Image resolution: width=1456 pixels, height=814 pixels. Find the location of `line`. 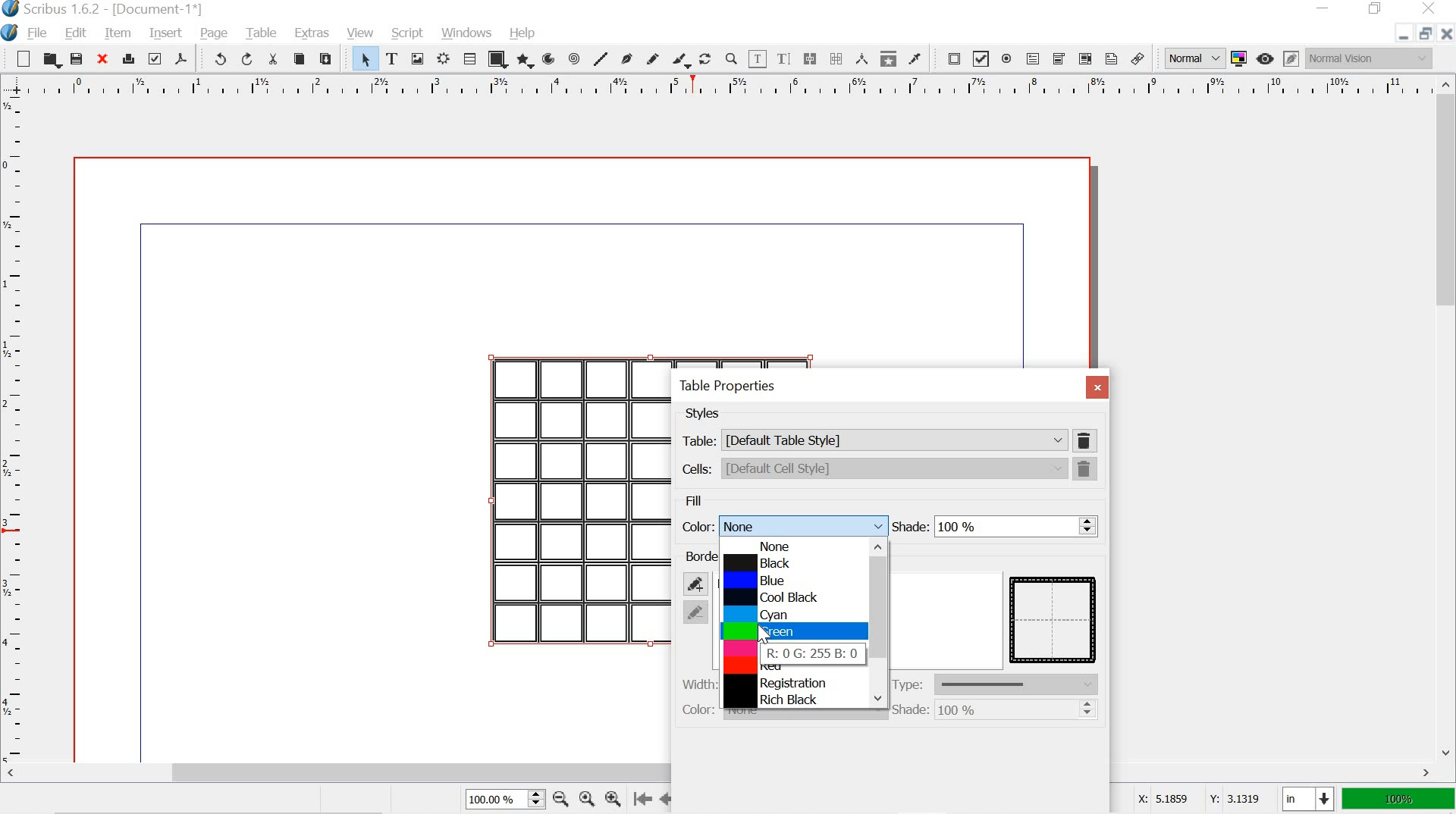

line is located at coordinates (602, 56).